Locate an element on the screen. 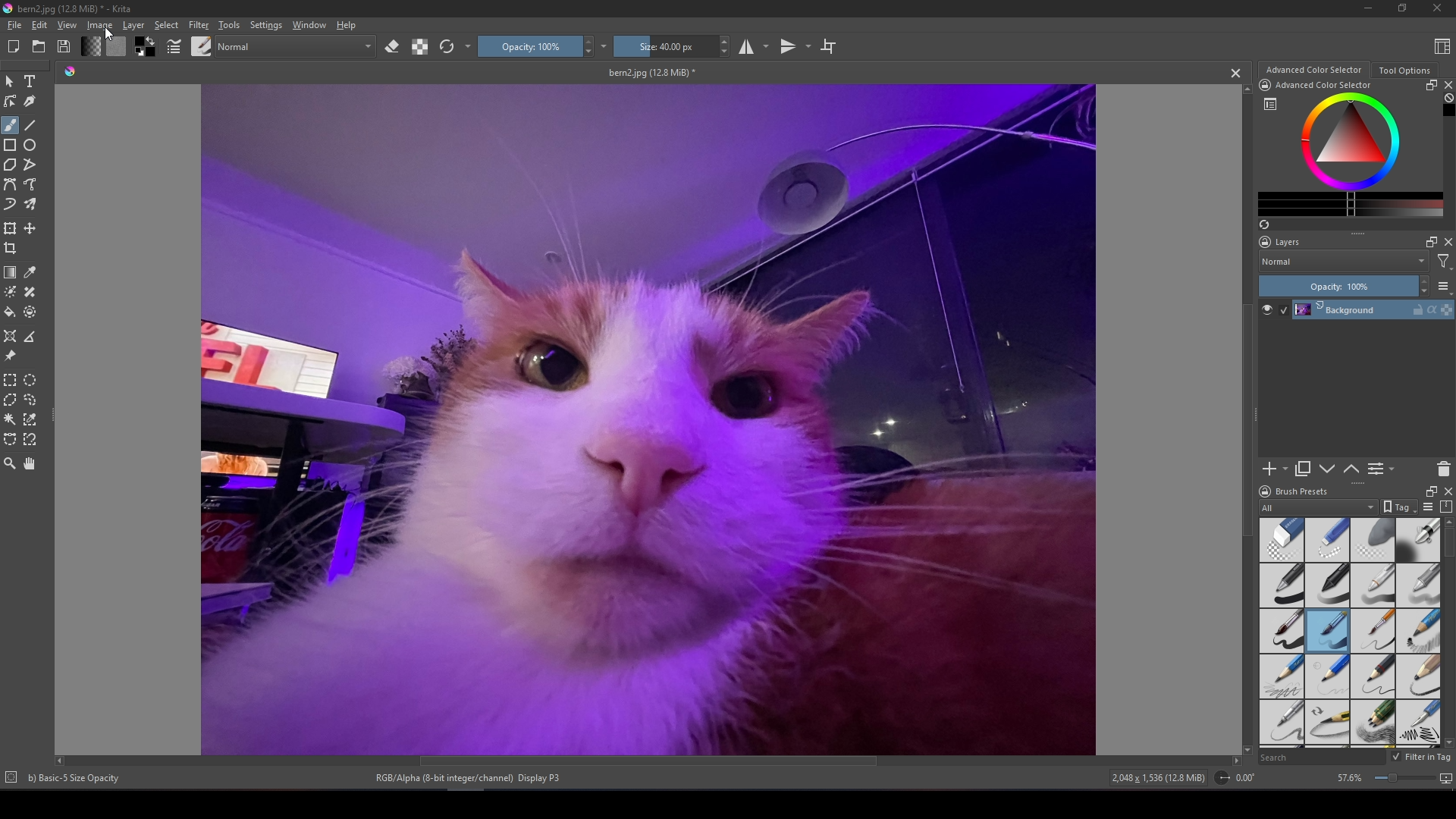 The height and width of the screenshot is (819, 1456). Save is located at coordinates (64, 45).